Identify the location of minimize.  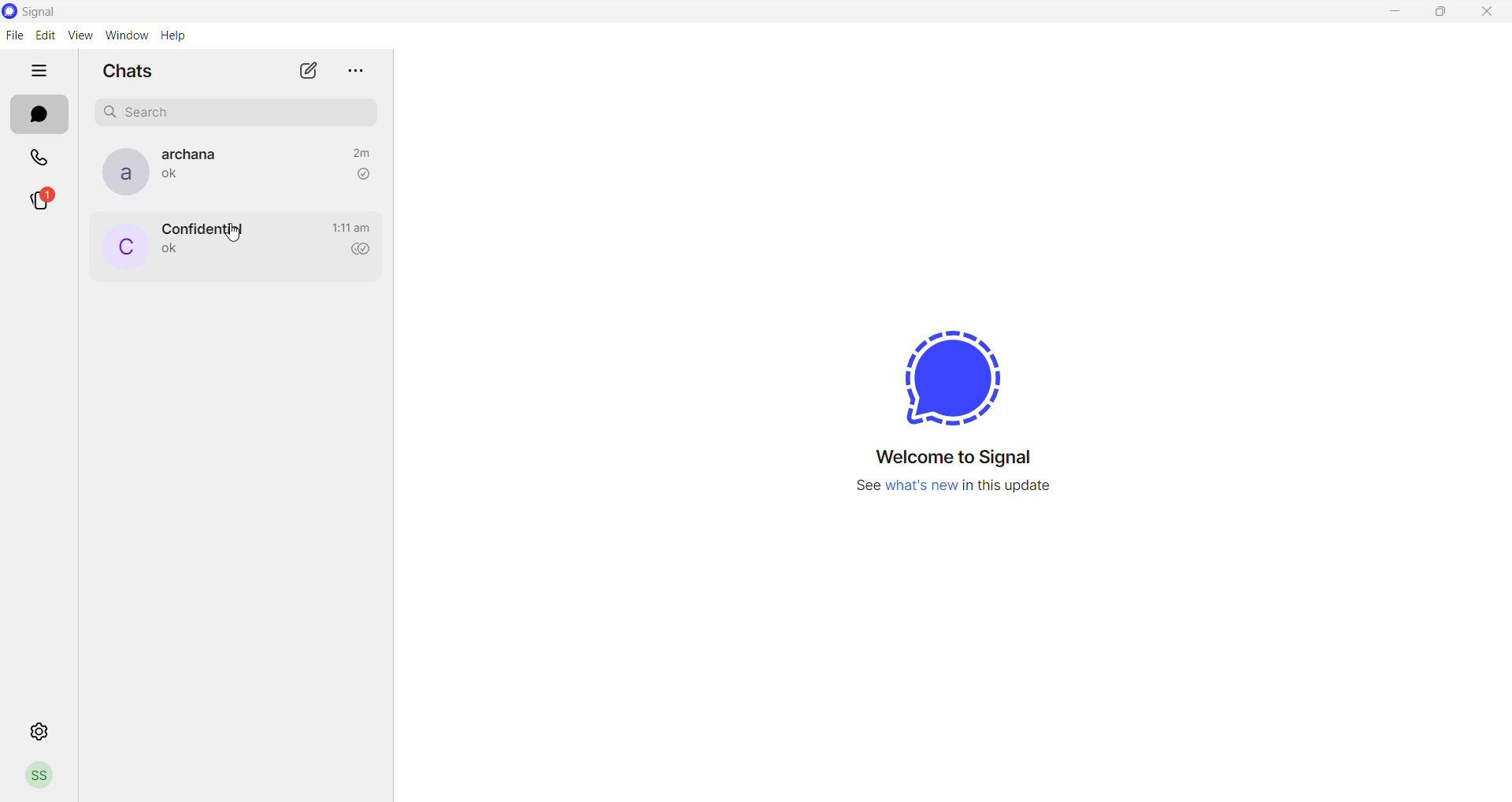
(1397, 16).